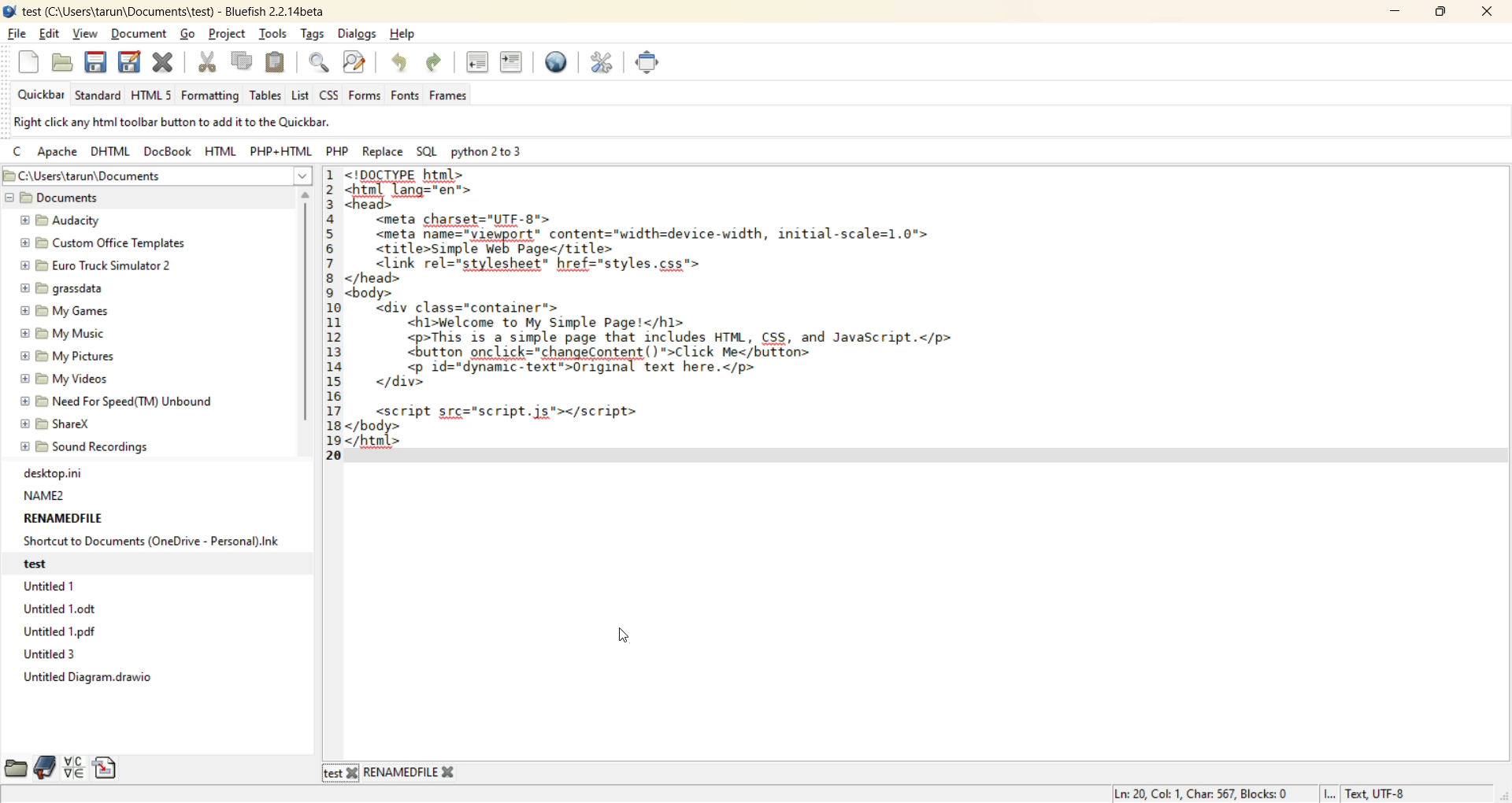 The width and height of the screenshot is (1512, 803). Describe the element at coordinates (170, 9) in the screenshot. I see `file name and app name` at that location.